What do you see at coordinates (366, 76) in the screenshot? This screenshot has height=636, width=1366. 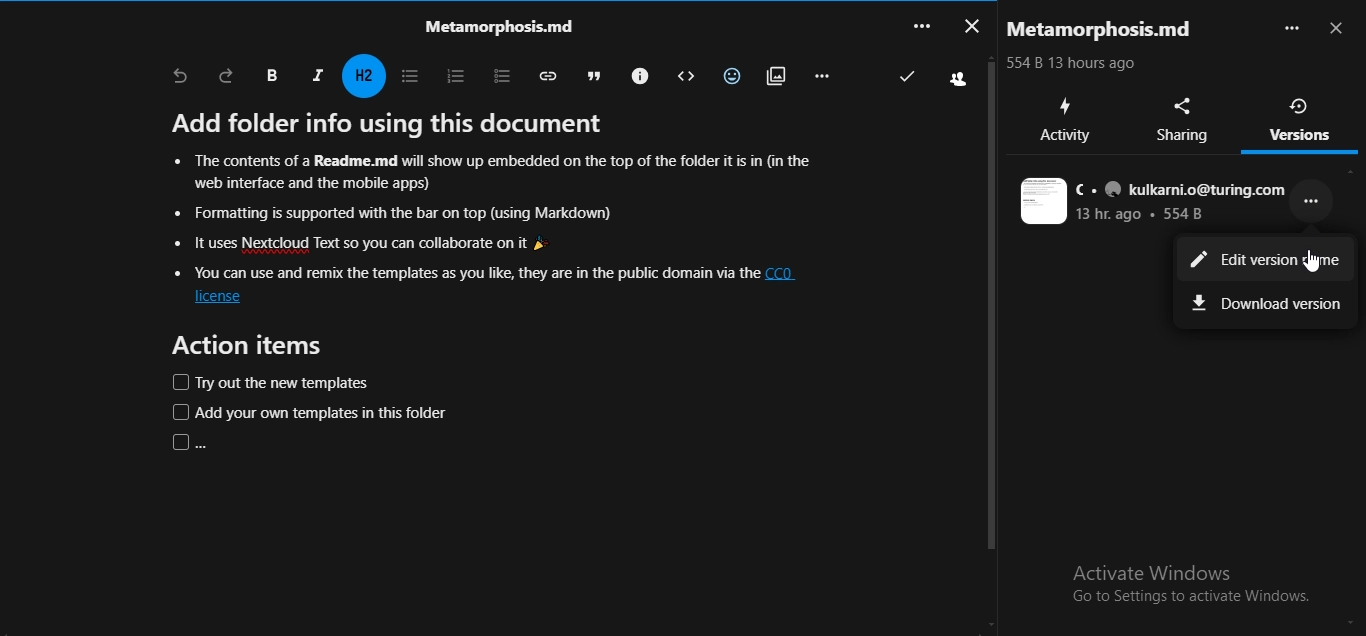 I see `headings` at bounding box center [366, 76].